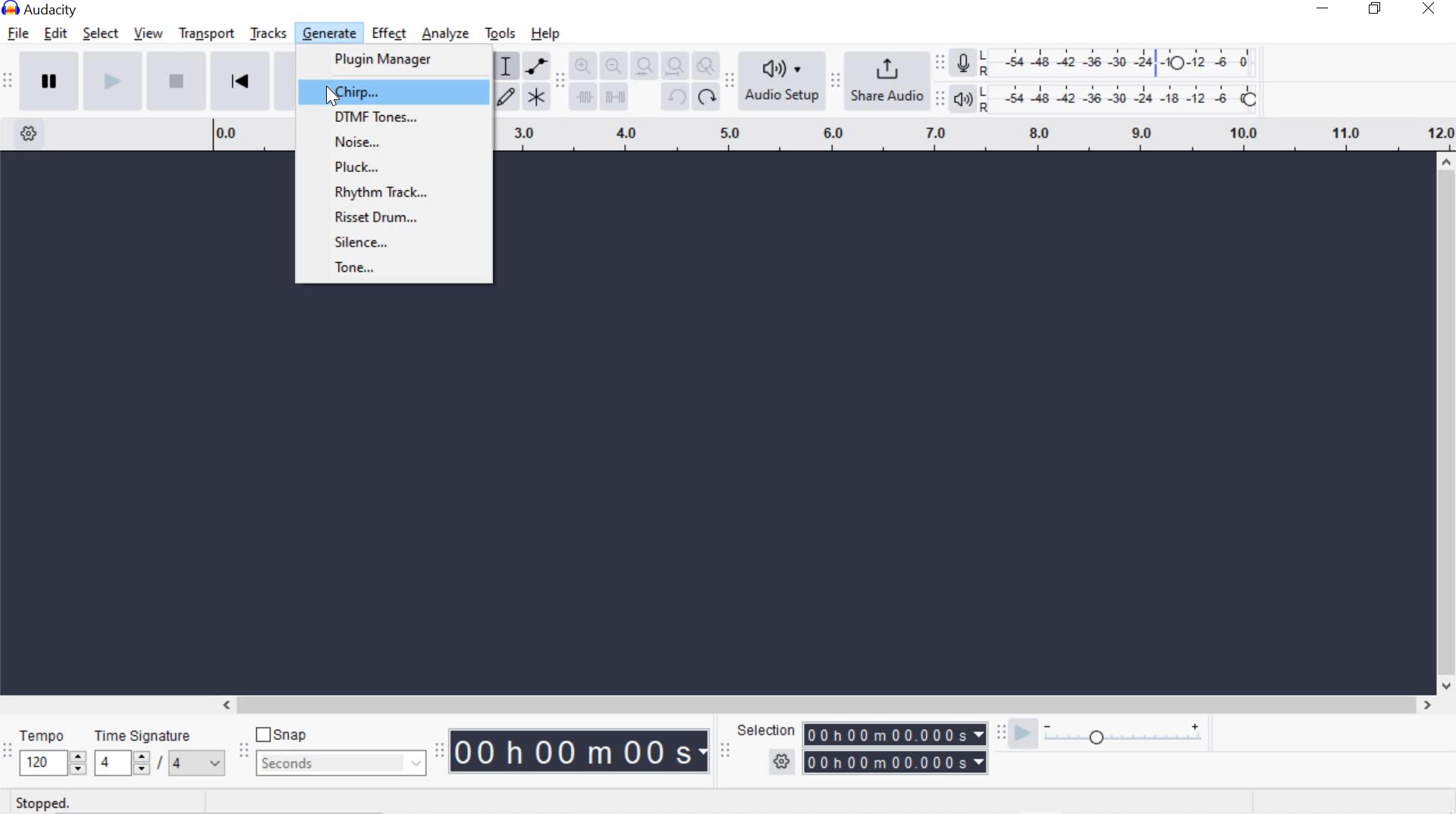 This screenshot has height=814, width=1456. Describe the element at coordinates (1375, 9) in the screenshot. I see `restore down` at that location.